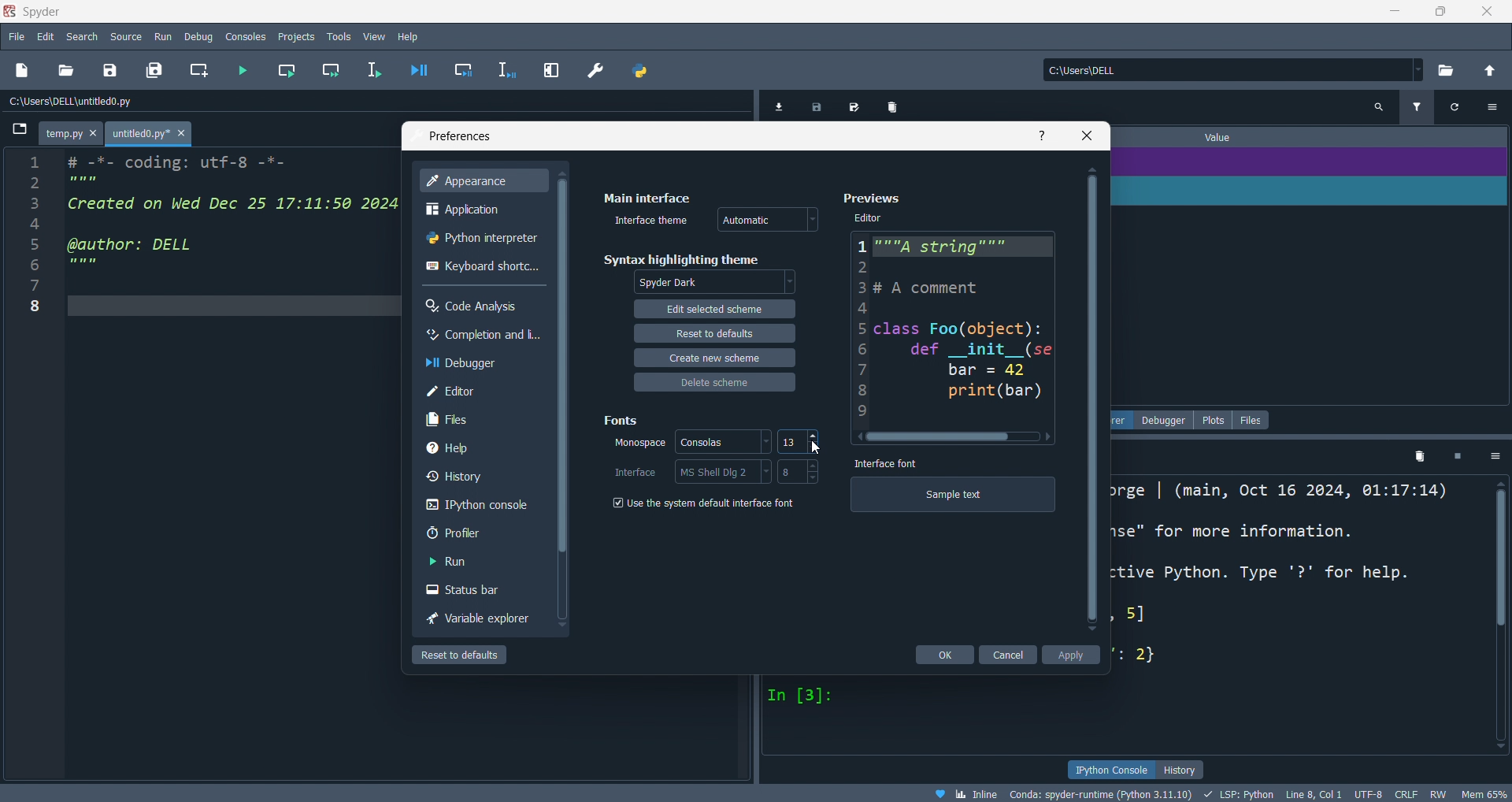 Image resolution: width=1512 pixels, height=802 pixels. What do you see at coordinates (461, 654) in the screenshot?
I see `reset to default` at bounding box center [461, 654].